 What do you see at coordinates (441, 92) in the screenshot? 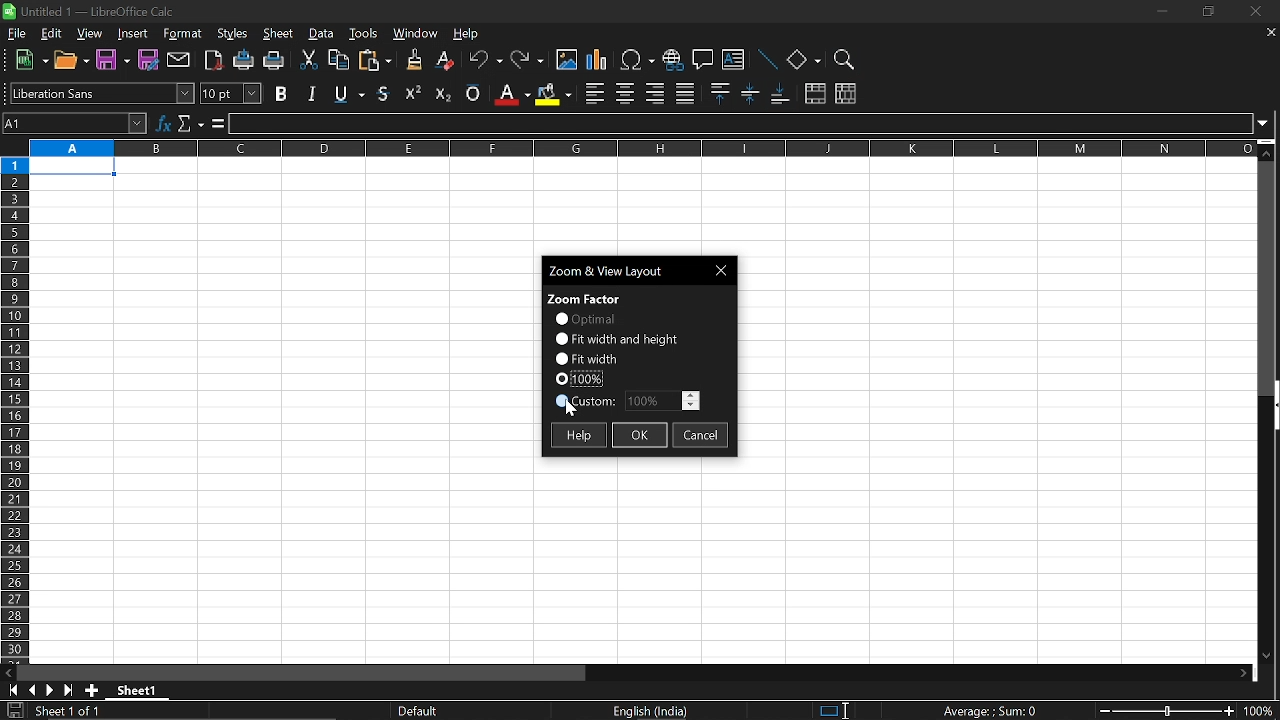
I see `subscript` at bounding box center [441, 92].